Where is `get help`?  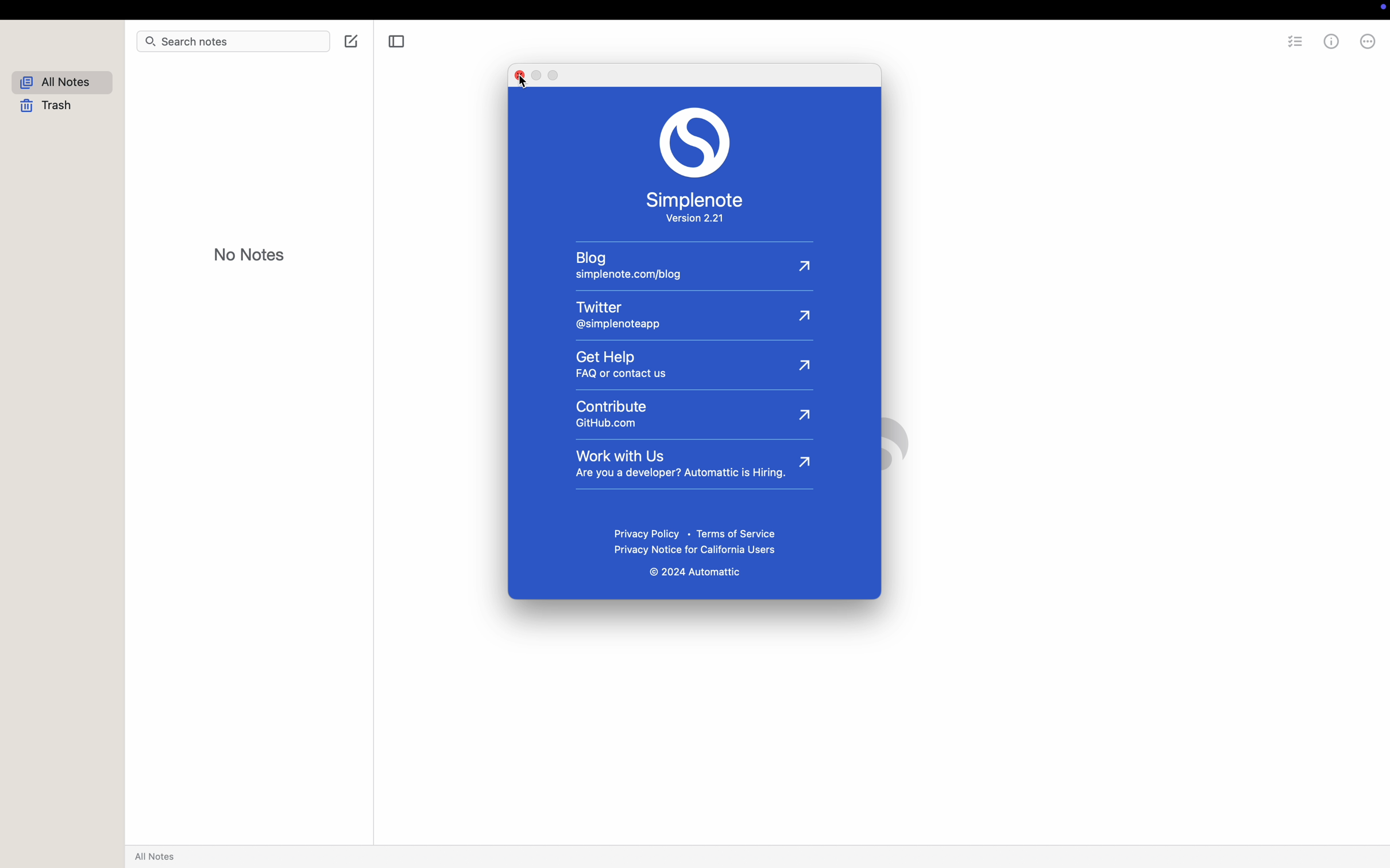 get help is located at coordinates (693, 365).